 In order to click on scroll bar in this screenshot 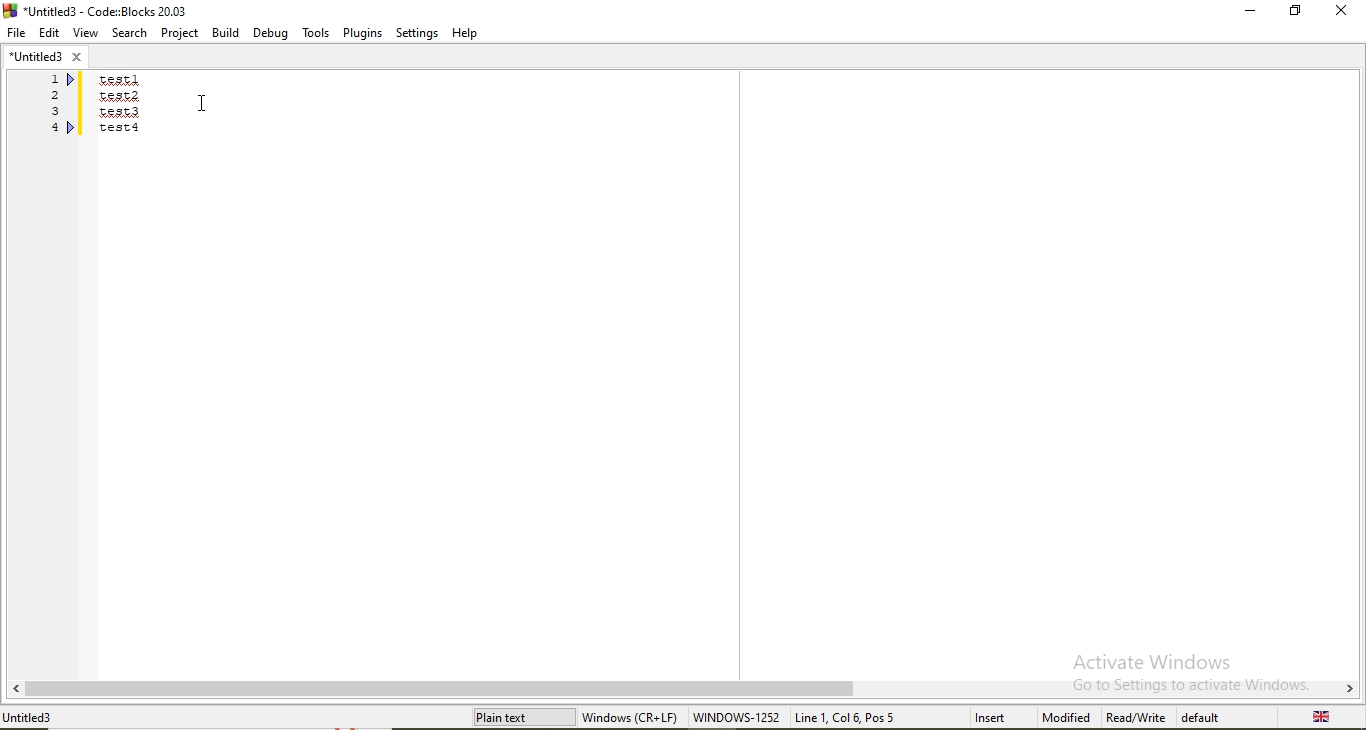, I will do `click(683, 688)`.